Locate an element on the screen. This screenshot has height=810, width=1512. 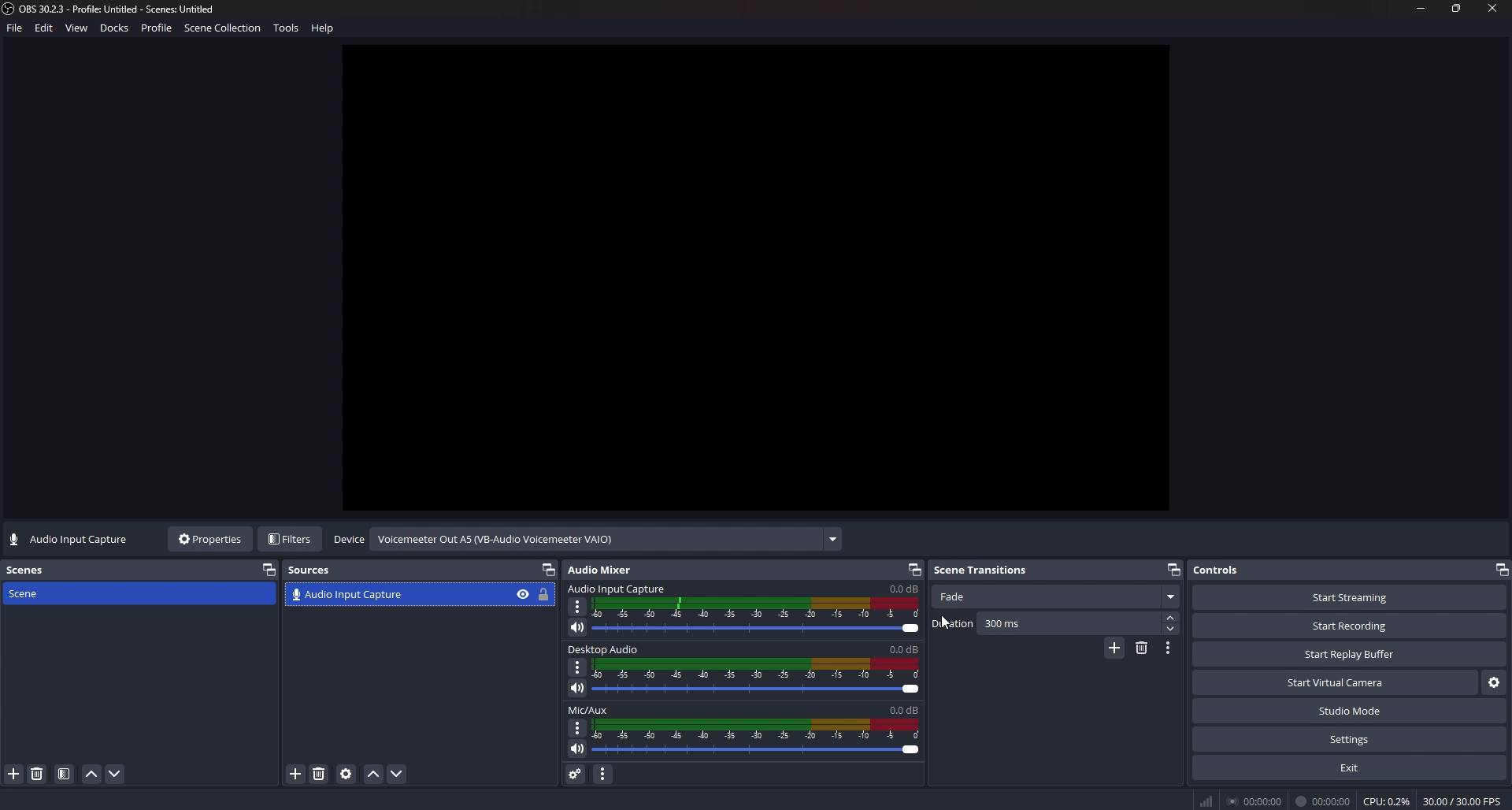
mute is located at coordinates (577, 688).